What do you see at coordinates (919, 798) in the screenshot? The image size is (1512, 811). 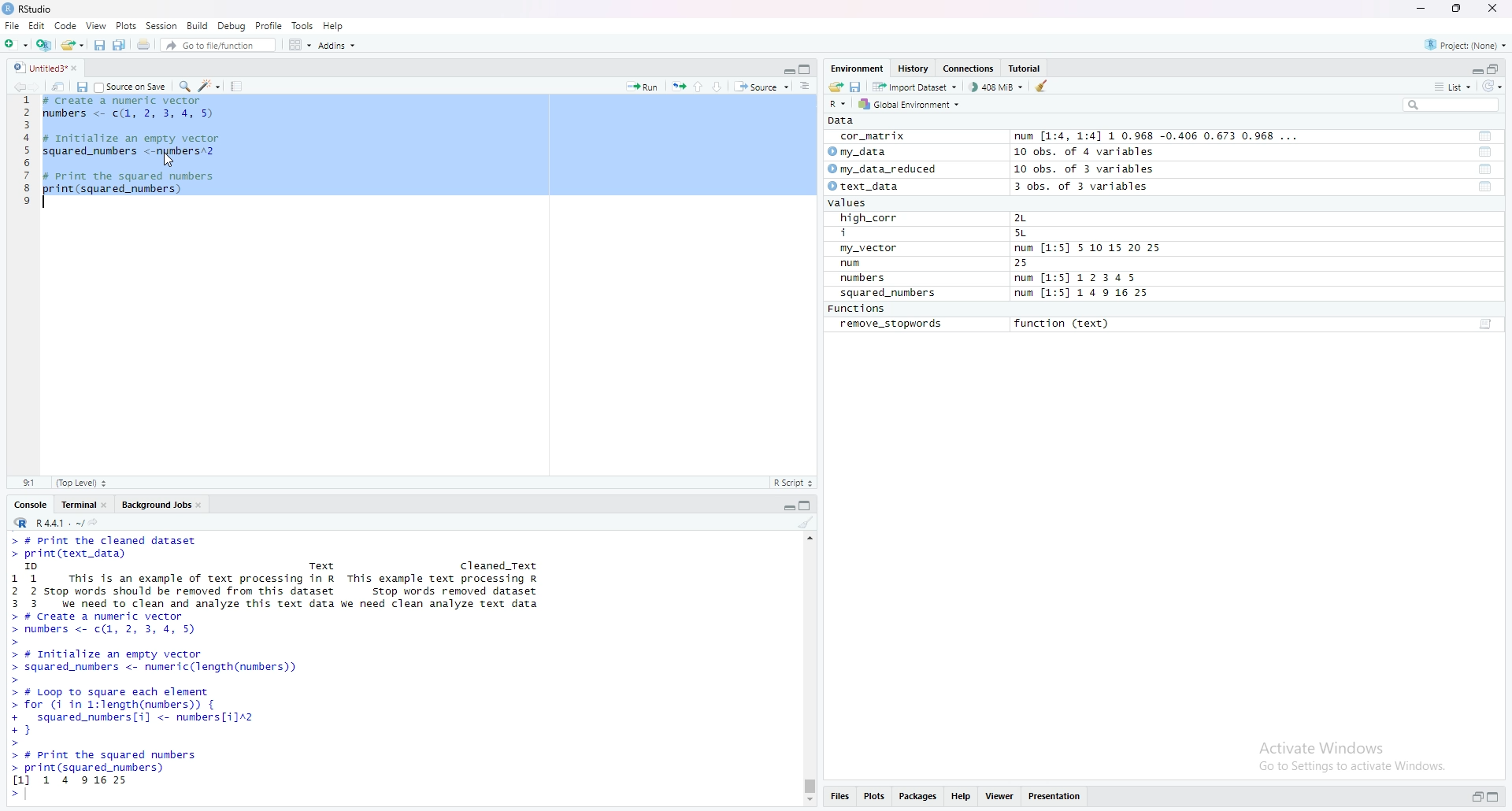 I see `Packages` at bounding box center [919, 798].